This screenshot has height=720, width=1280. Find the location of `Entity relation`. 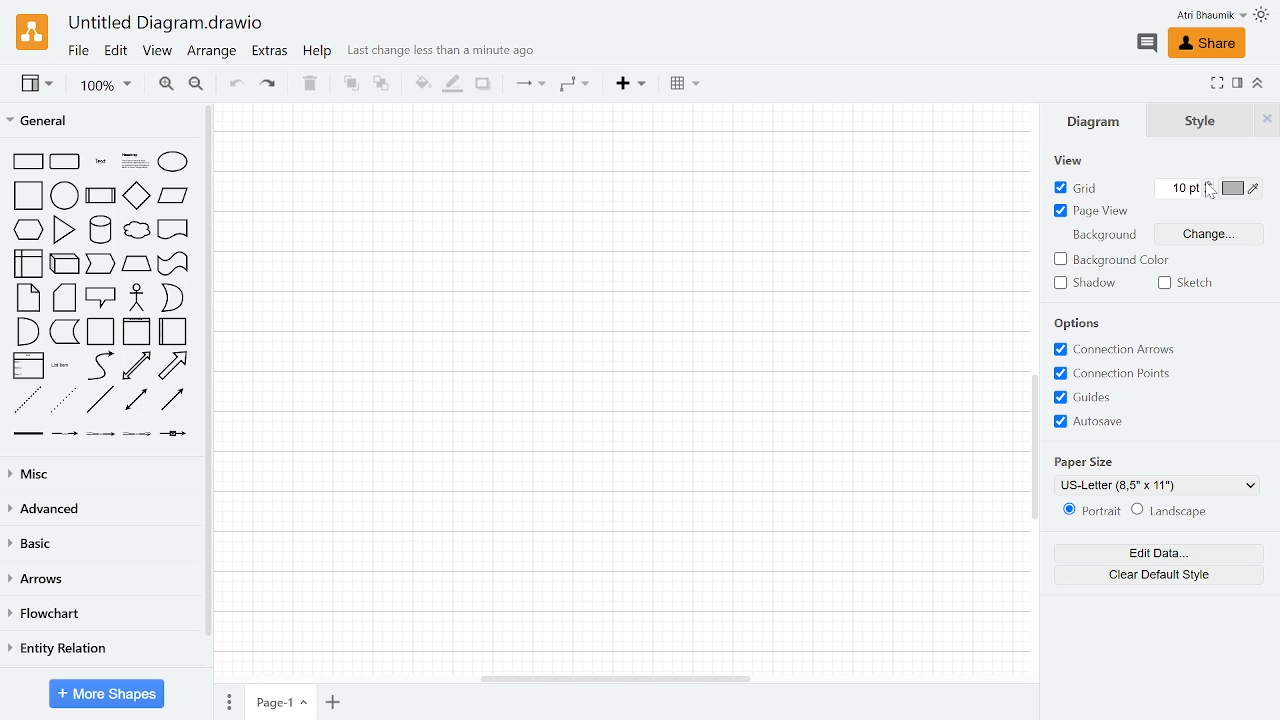

Entity relation is located at coordinates (98, 647).